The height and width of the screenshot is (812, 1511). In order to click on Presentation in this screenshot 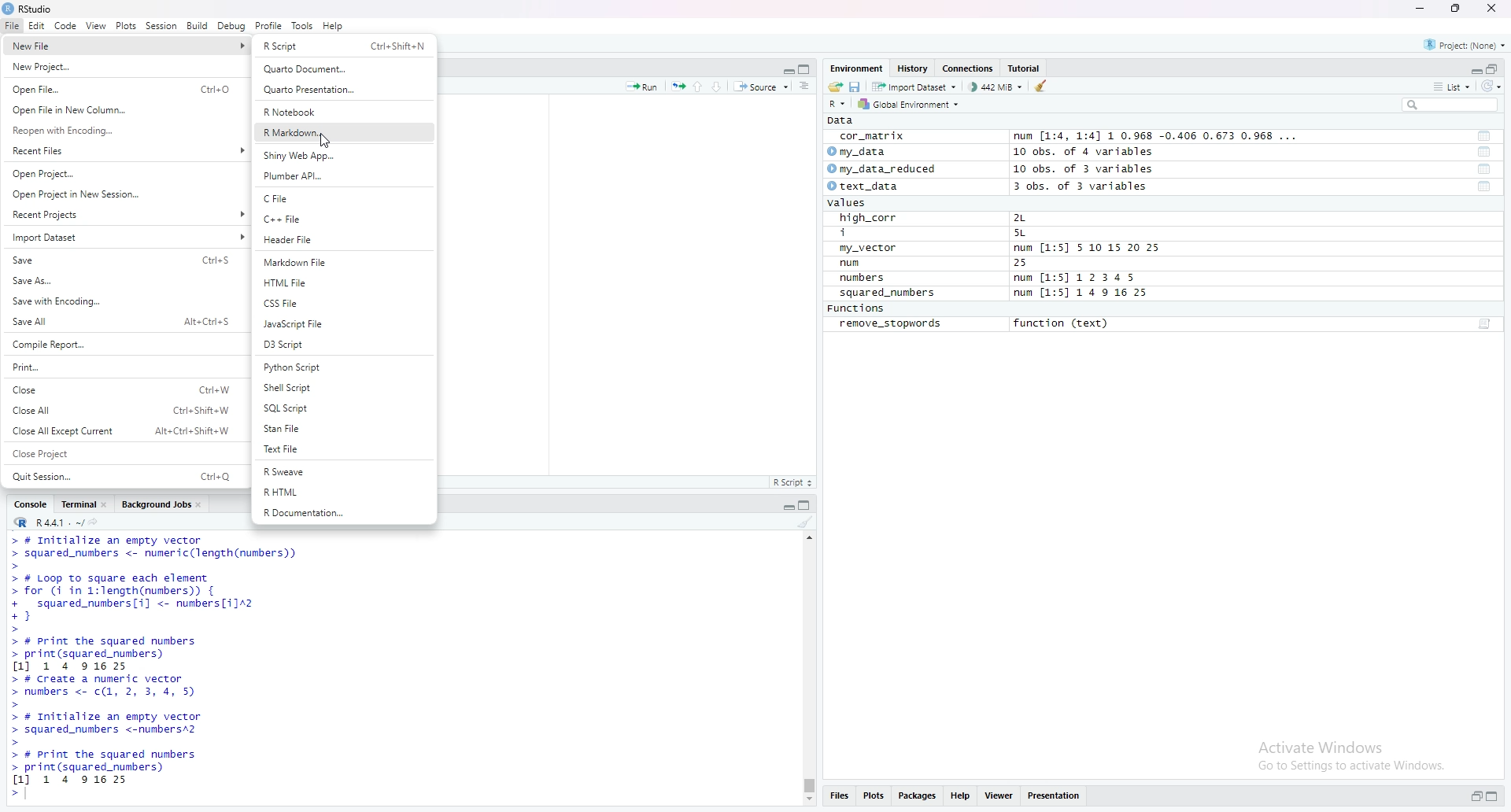, I will do `click(1053, 796)`.